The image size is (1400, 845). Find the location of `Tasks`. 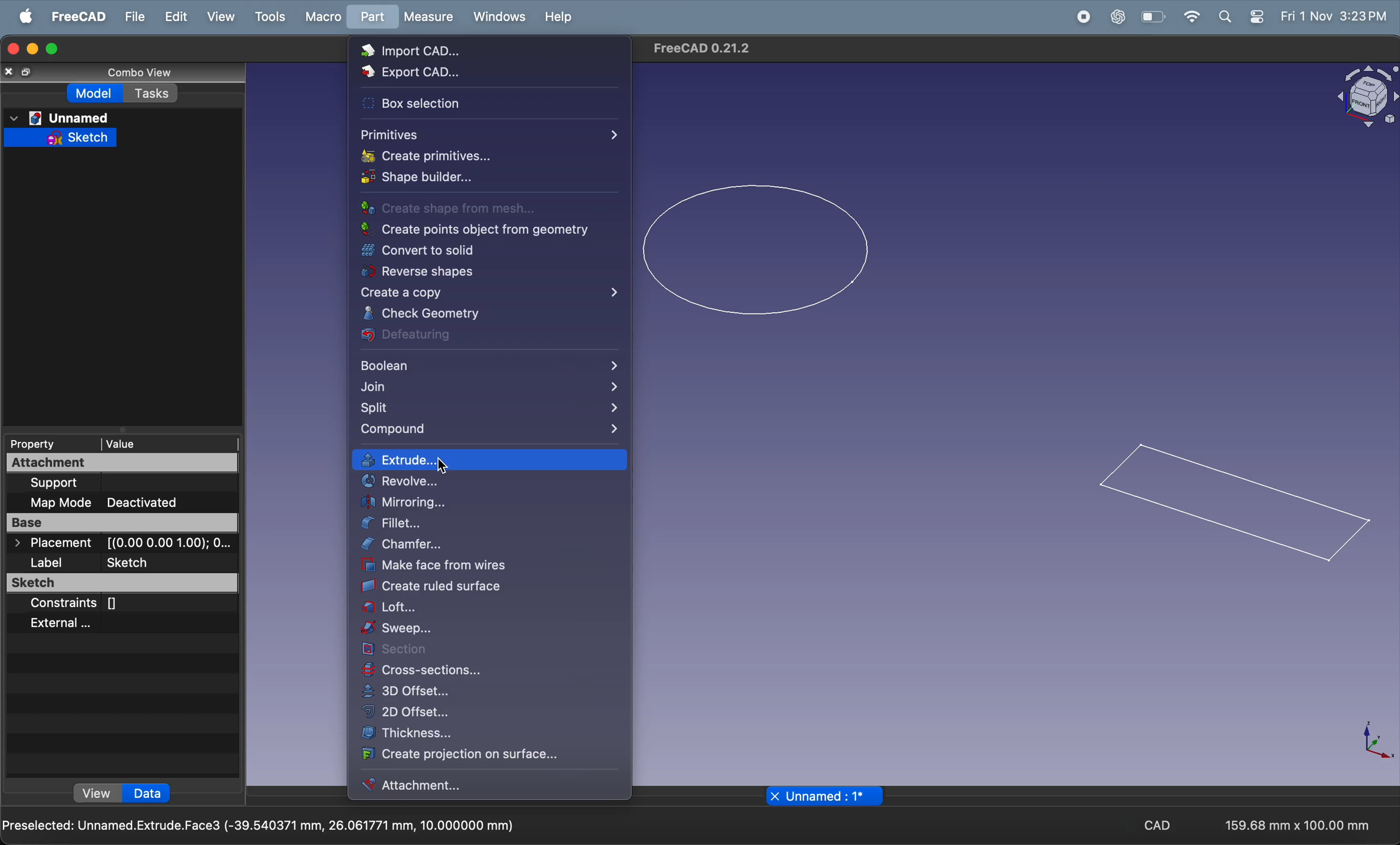

Tasks is located at coordinates (152, 93).